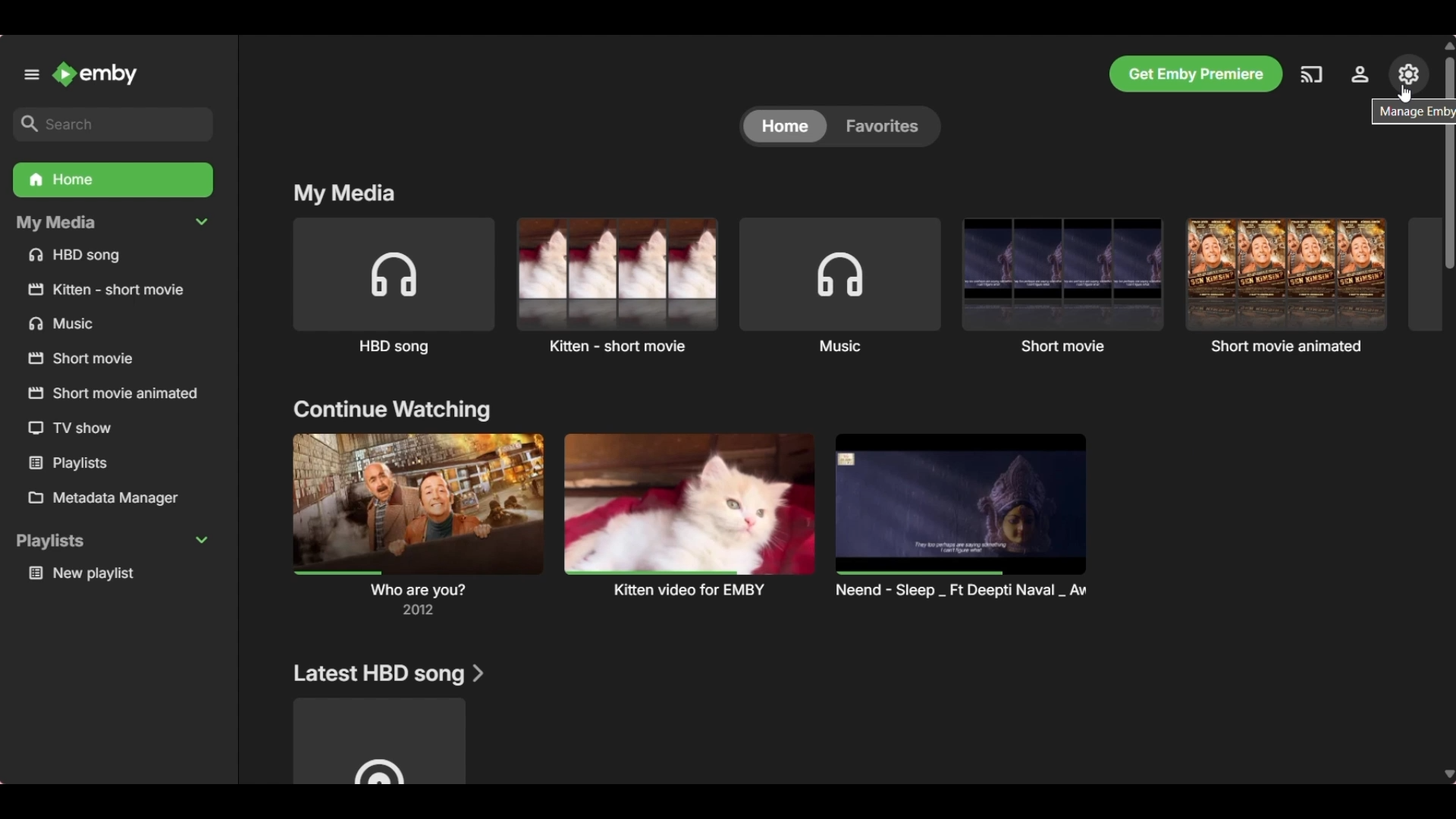  Describe the element at coordinates (840, 127) in the screenshot. I see `Toggle between Home and Favorites` at that location.